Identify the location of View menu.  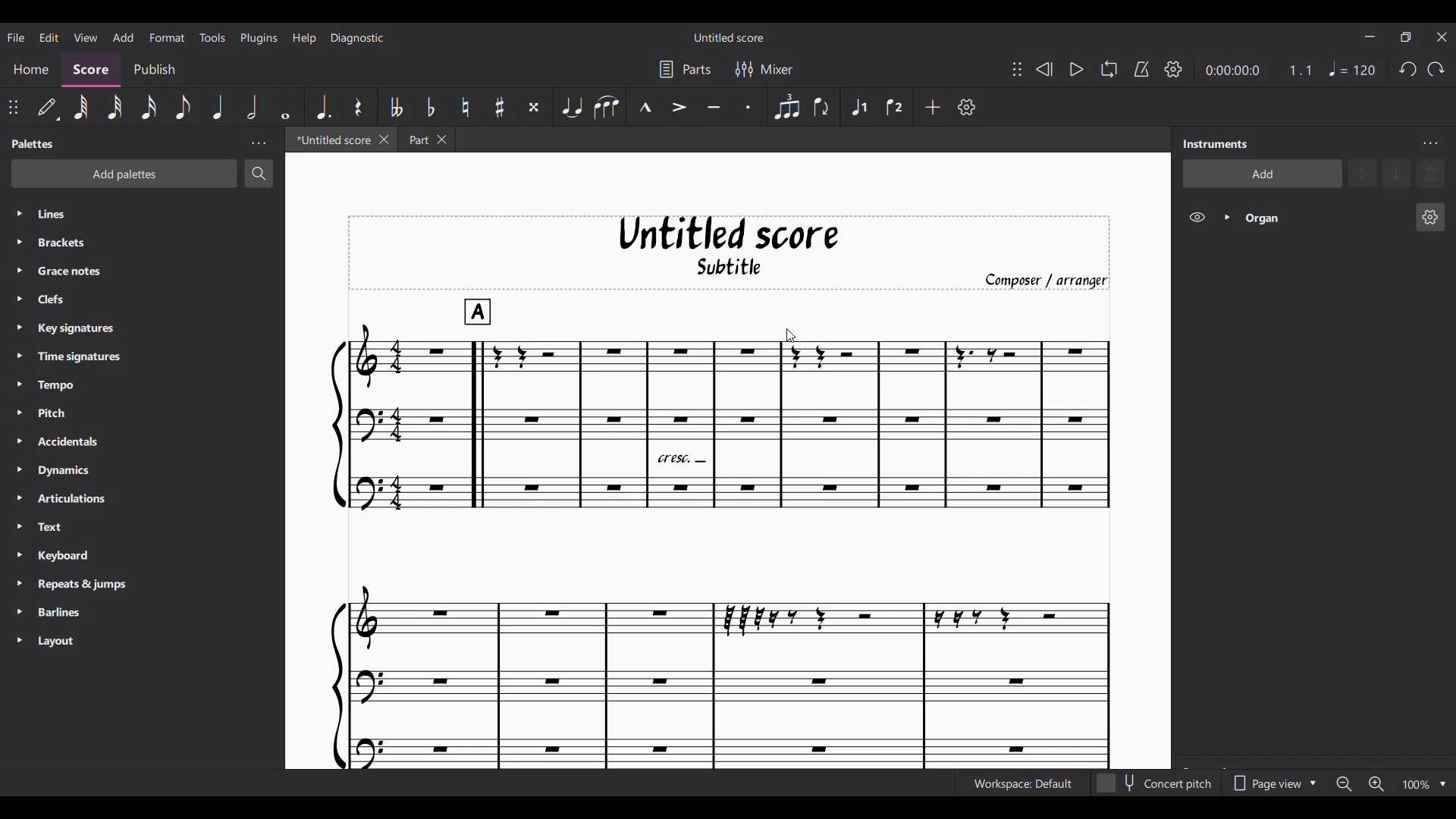
(86, 36).